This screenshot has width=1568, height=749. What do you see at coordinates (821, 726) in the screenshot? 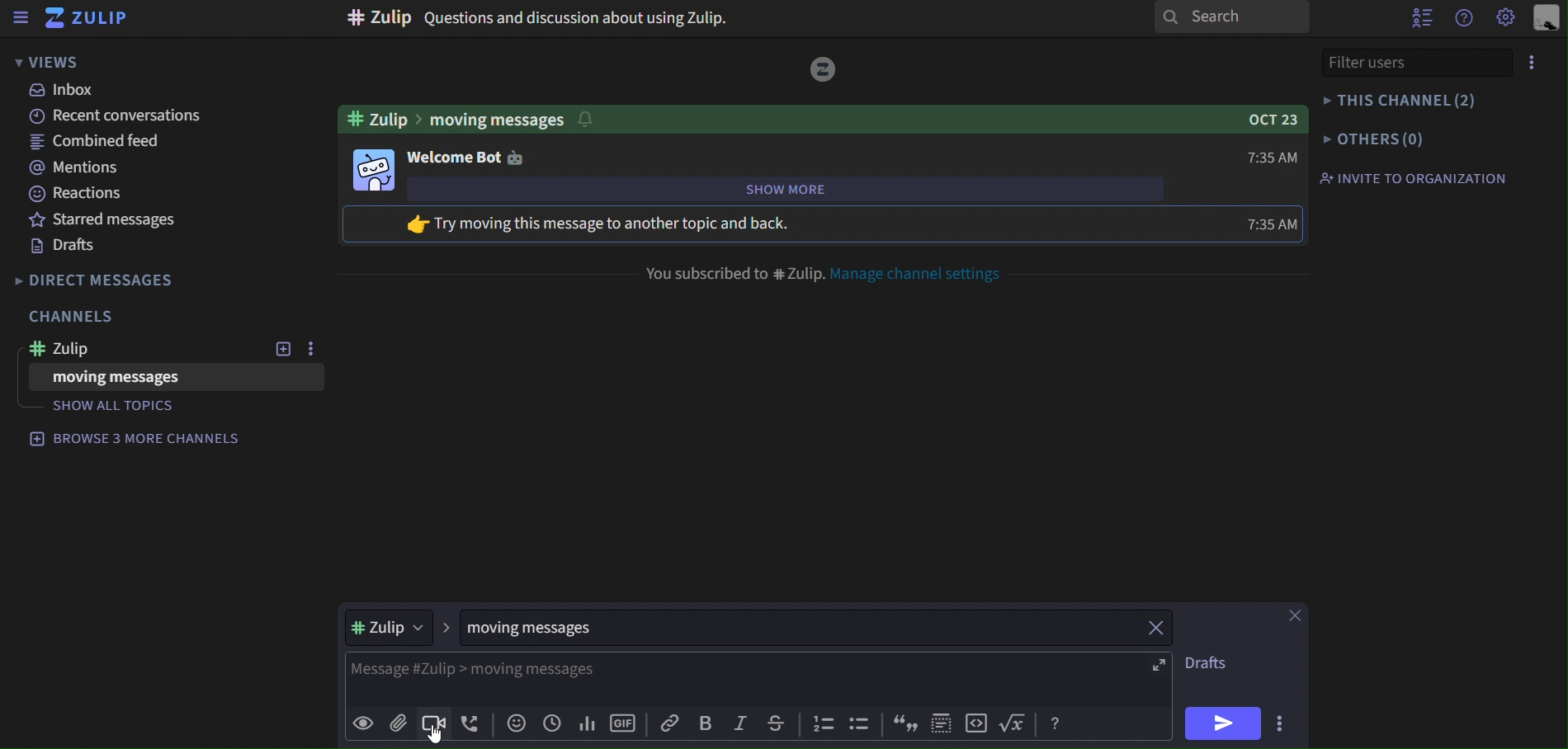
I see `icon` at bounding box center [821, 726].